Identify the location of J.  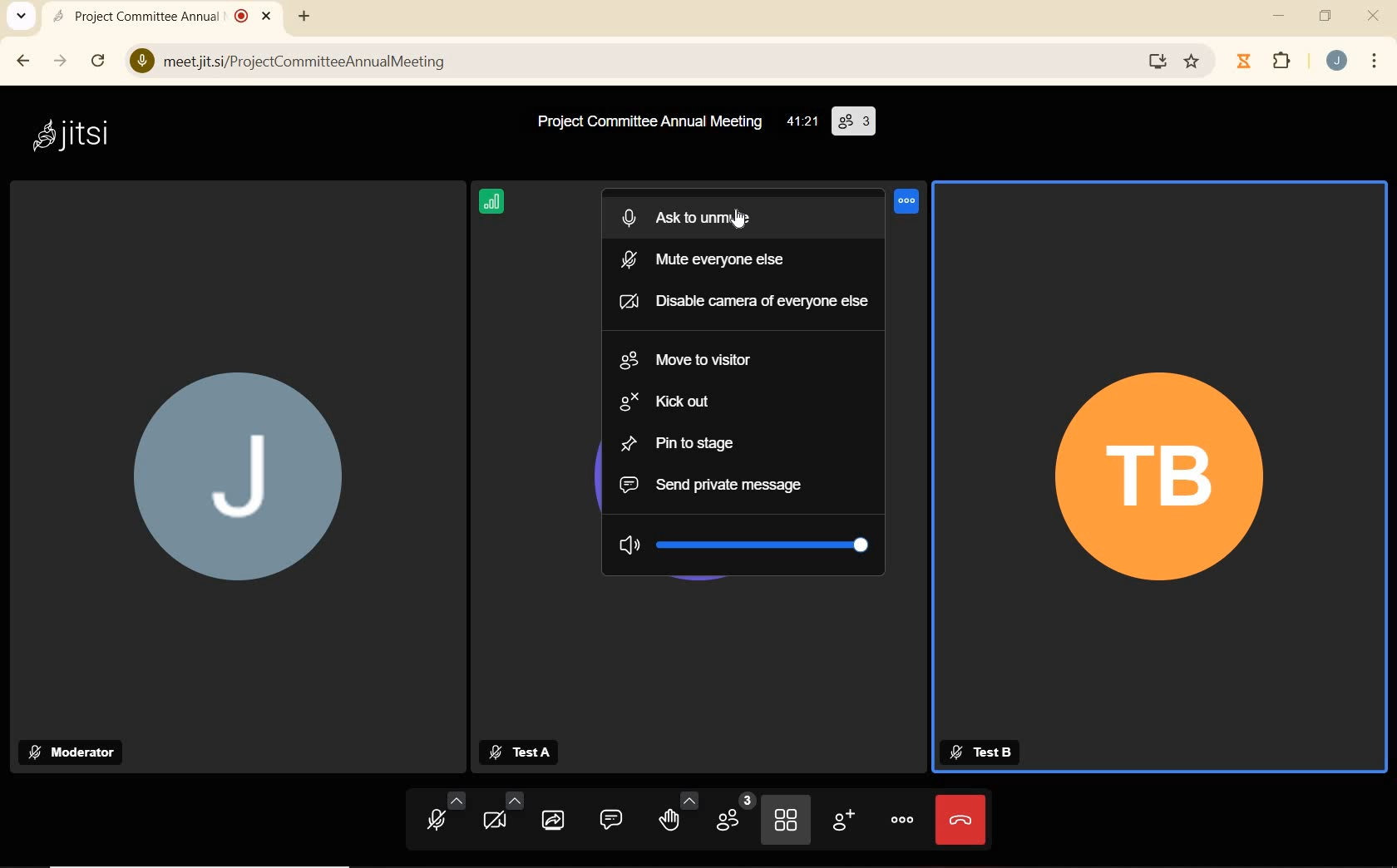
(246, 494).